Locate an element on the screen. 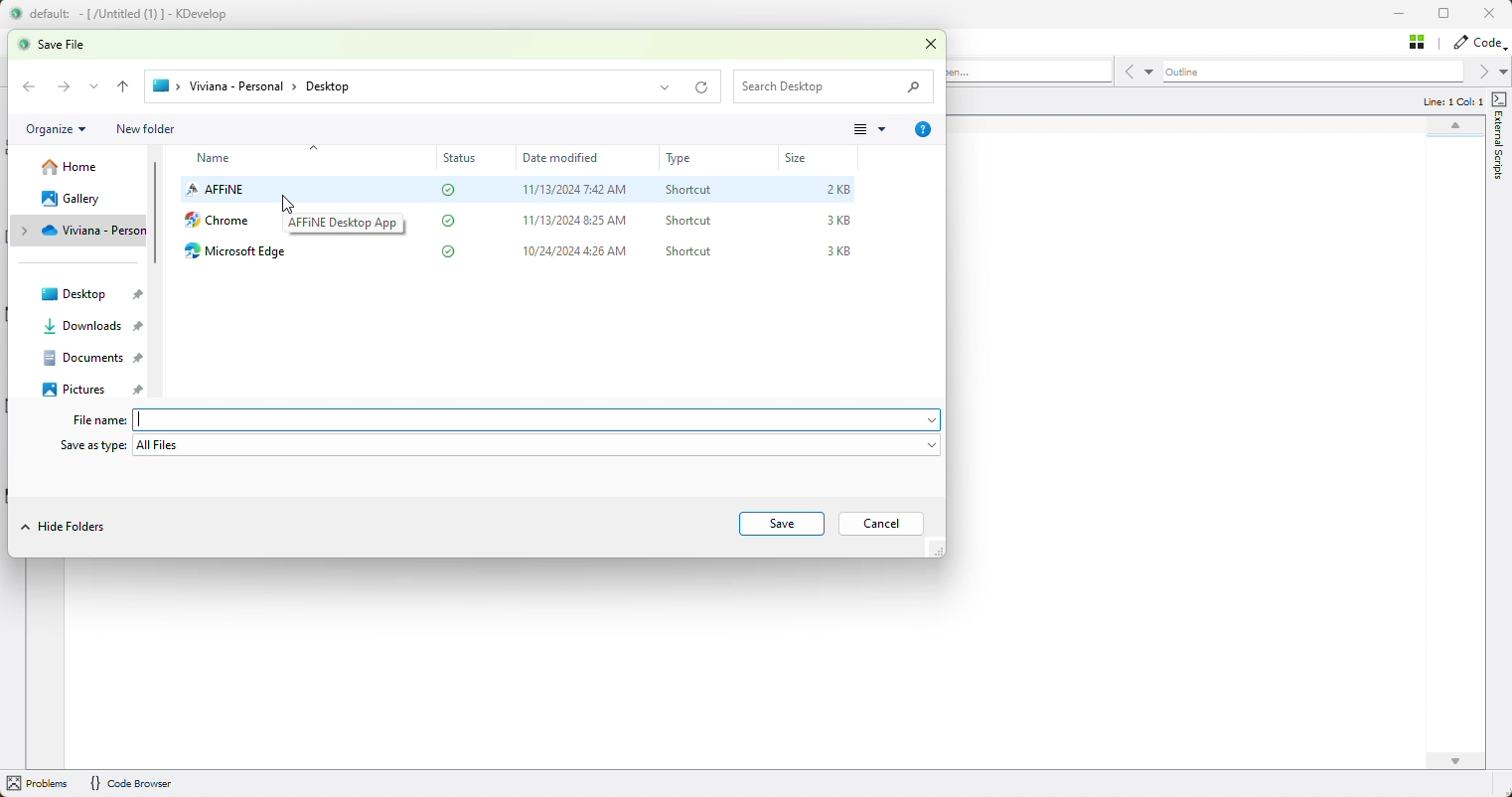 Image resolution: width=1512 pixels, height=797 pixels. restore is located at coordinates (1450, 15).